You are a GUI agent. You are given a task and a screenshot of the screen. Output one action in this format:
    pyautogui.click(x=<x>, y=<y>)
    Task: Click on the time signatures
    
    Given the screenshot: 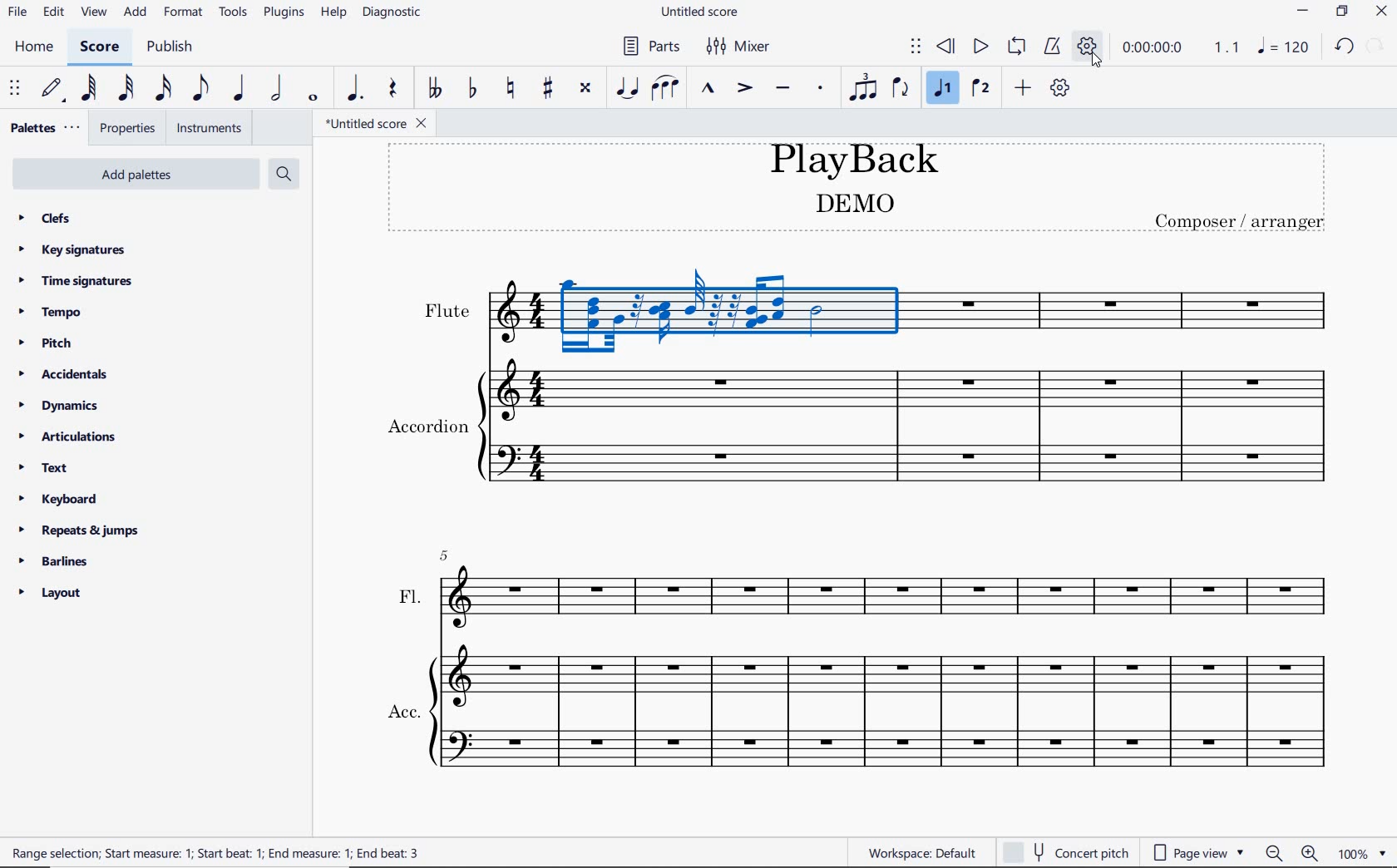 What is the action you would take?
    pyautogui.click(x=79, y=279)
    